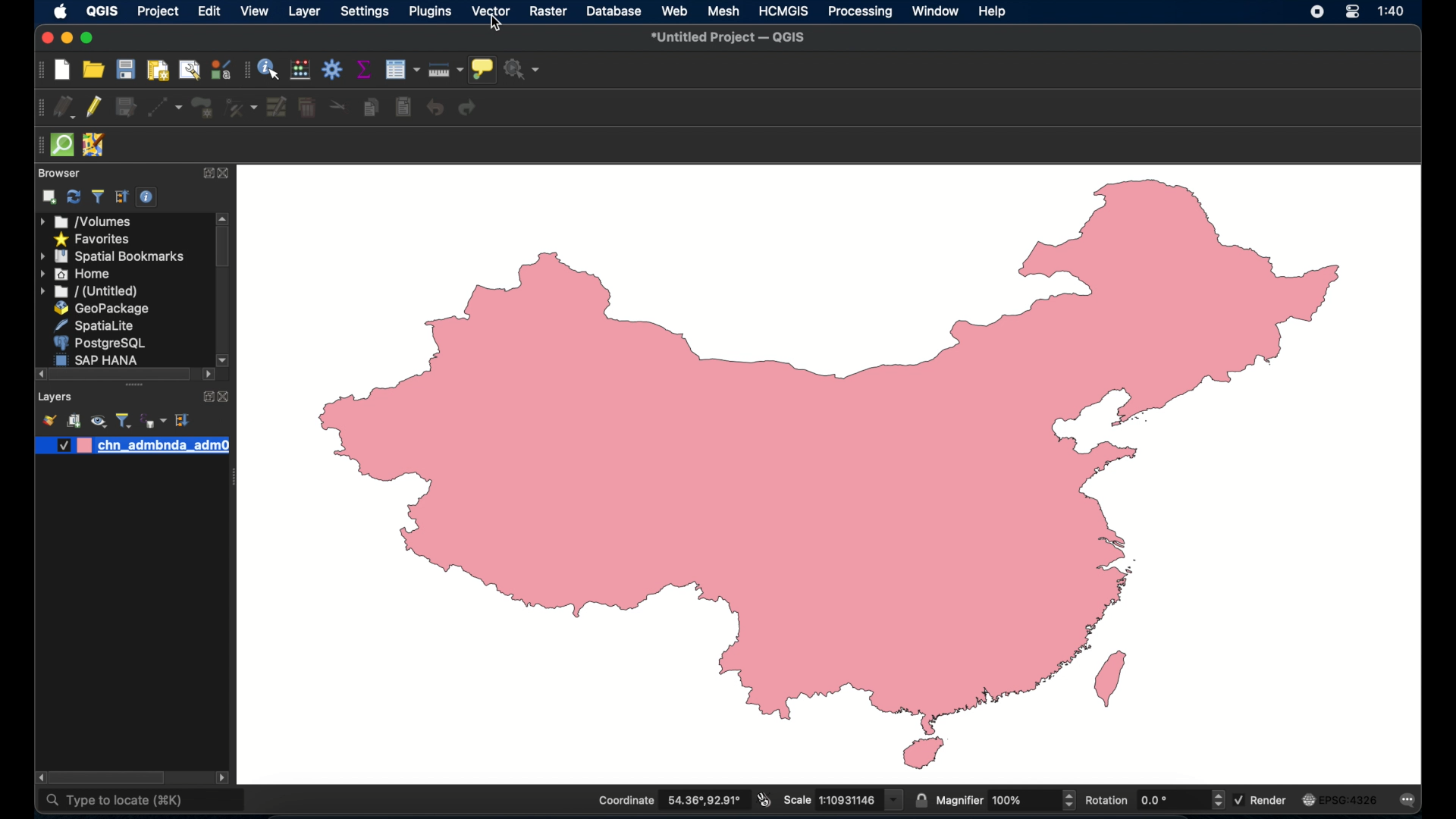 The image size is (1456, 819). I want to click on delete selected, so click(306, 108).